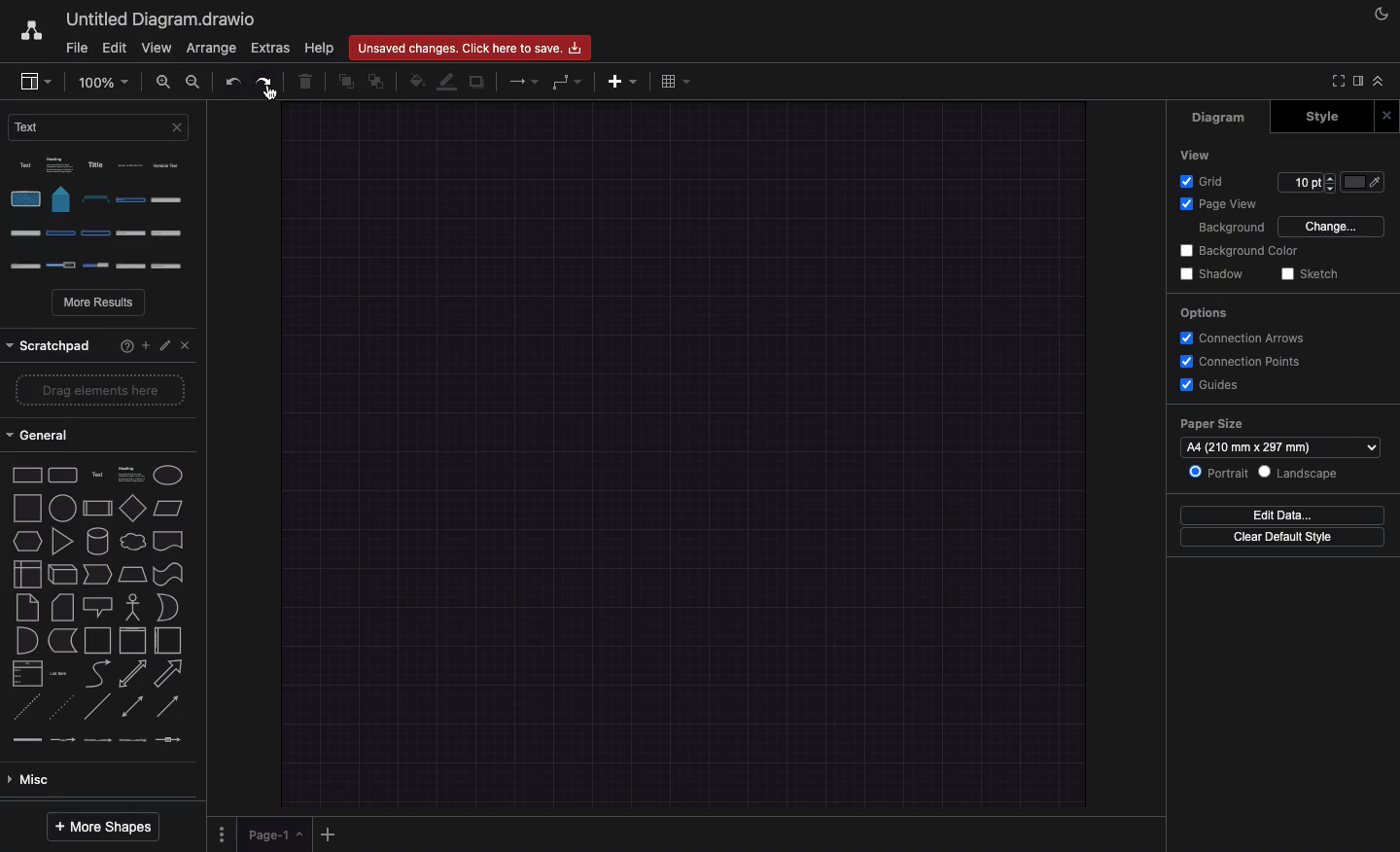 Image resolution: width=1400 pixels, height=852 pixels. What do you see at coordinates (1316, 118) in the screenshot?
I see `Style` at bounding box center [1316, 118].